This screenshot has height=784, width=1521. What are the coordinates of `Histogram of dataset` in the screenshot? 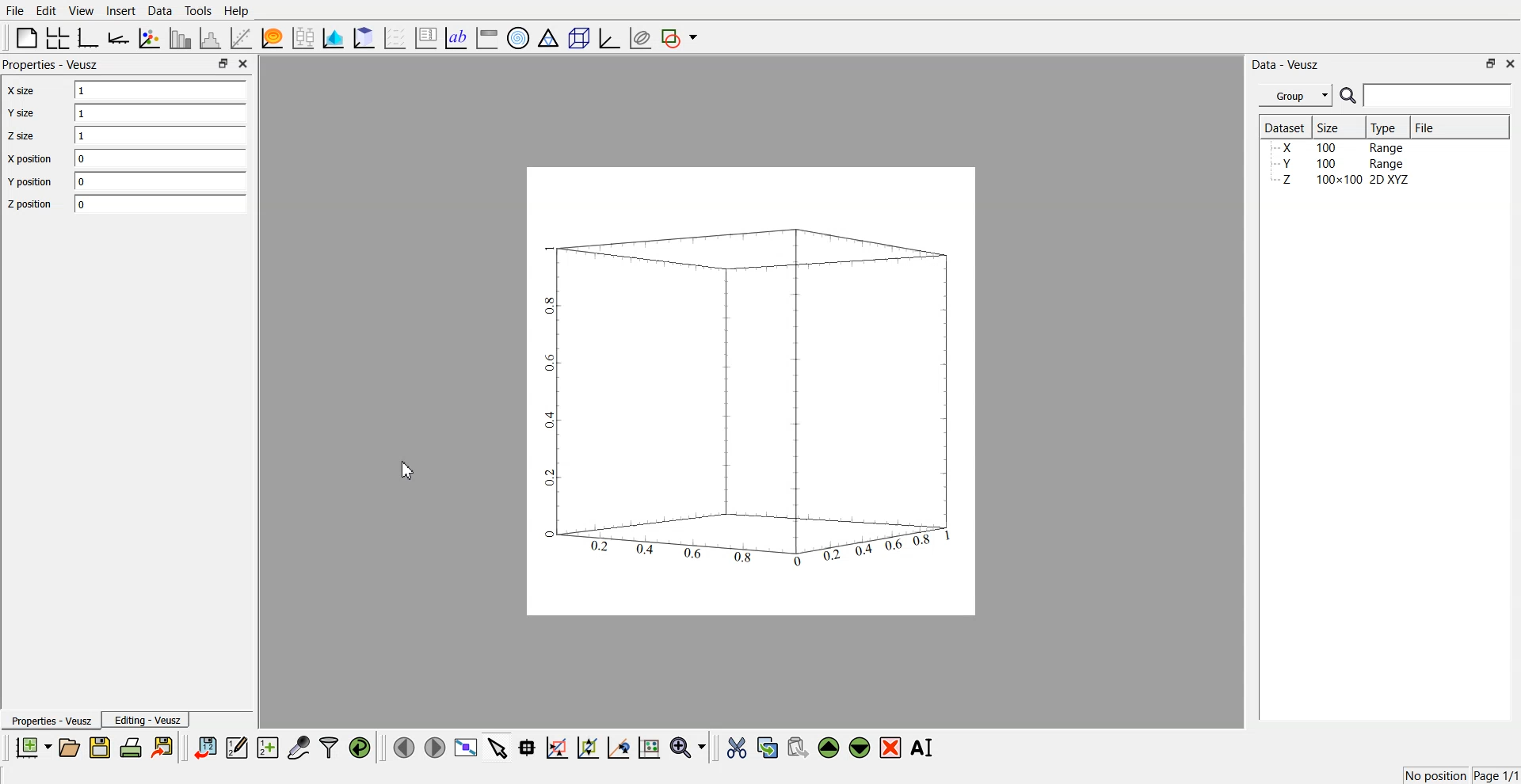 It's located at (211, 39).